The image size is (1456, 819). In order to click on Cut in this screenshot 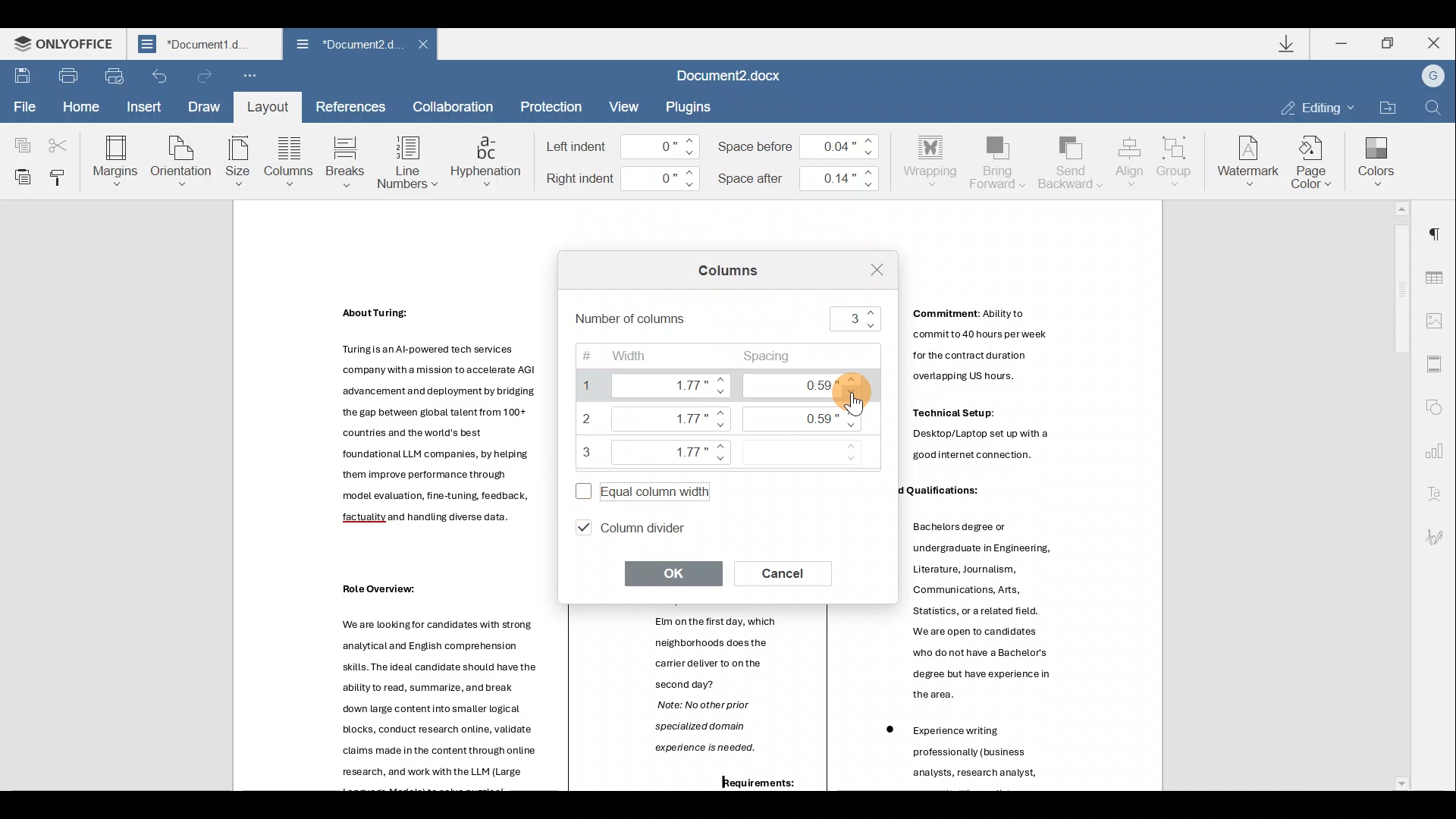, I will do `click(63, 138)`.